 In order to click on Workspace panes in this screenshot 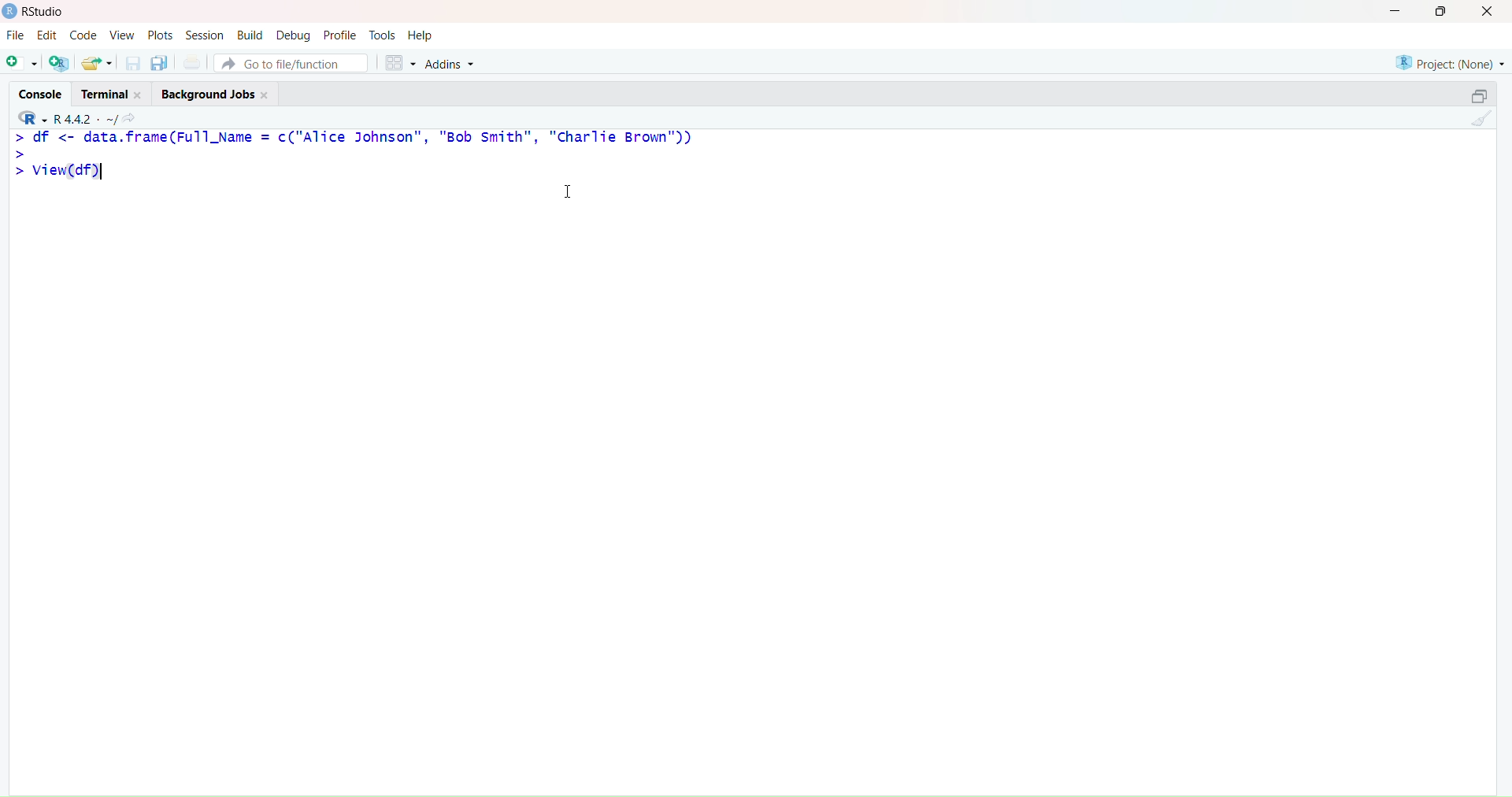, I will do `click(400, 63)`.